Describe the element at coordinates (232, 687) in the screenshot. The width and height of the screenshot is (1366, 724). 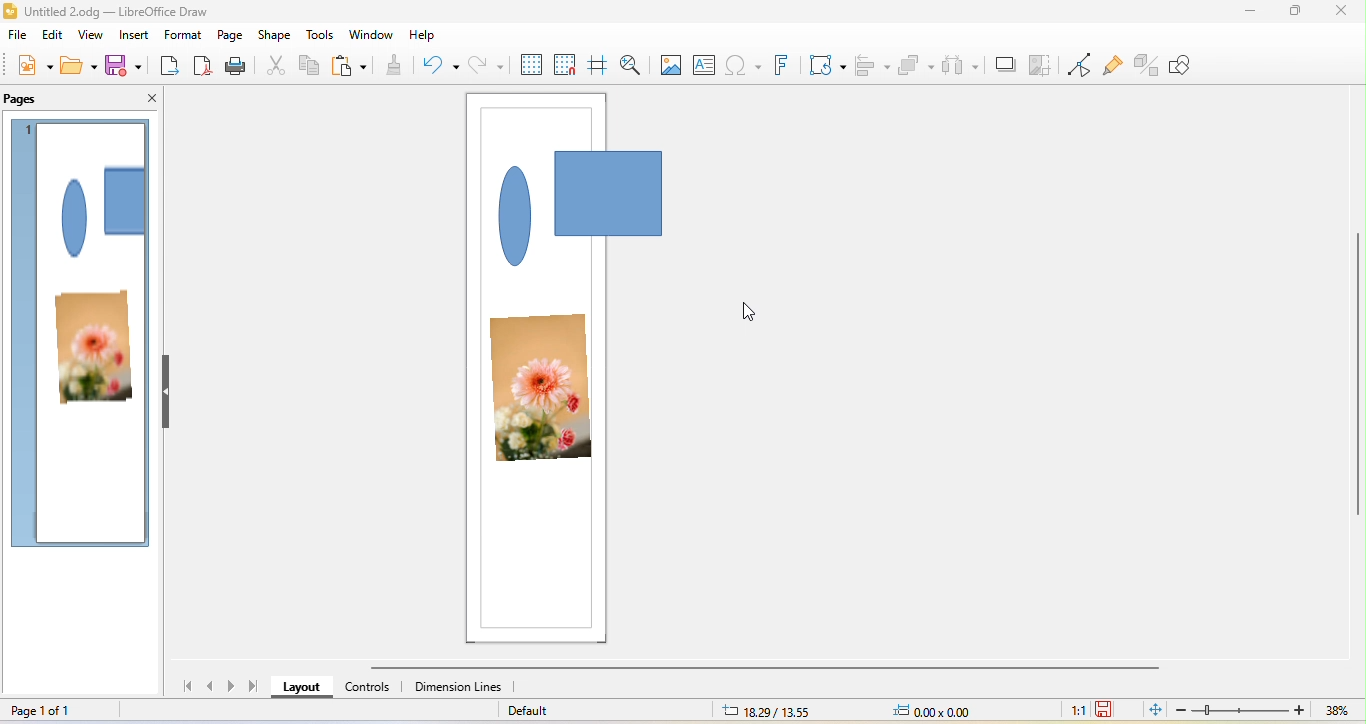
I see `next page` at that location.